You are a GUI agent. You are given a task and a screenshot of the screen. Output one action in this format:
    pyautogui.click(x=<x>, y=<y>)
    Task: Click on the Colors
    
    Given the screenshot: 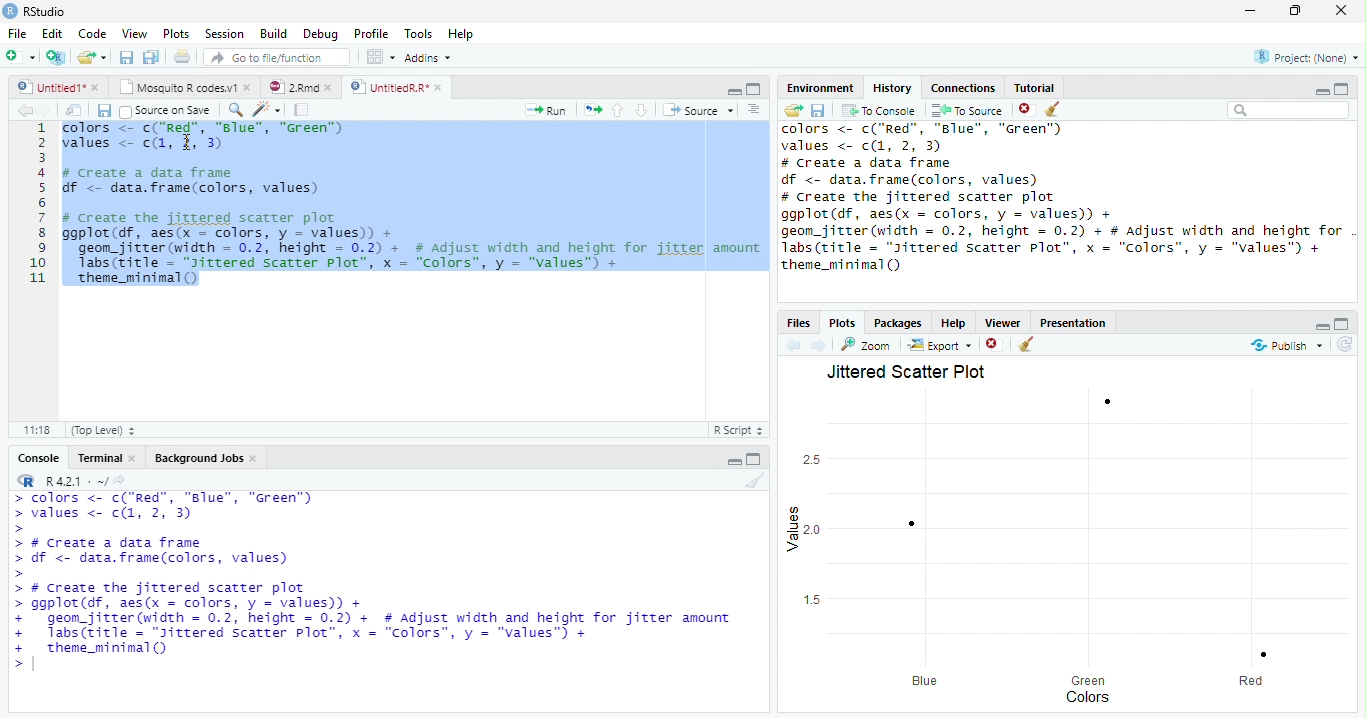 What is the action you would take?
    pyautogui.click(x=1087, y=697)
    